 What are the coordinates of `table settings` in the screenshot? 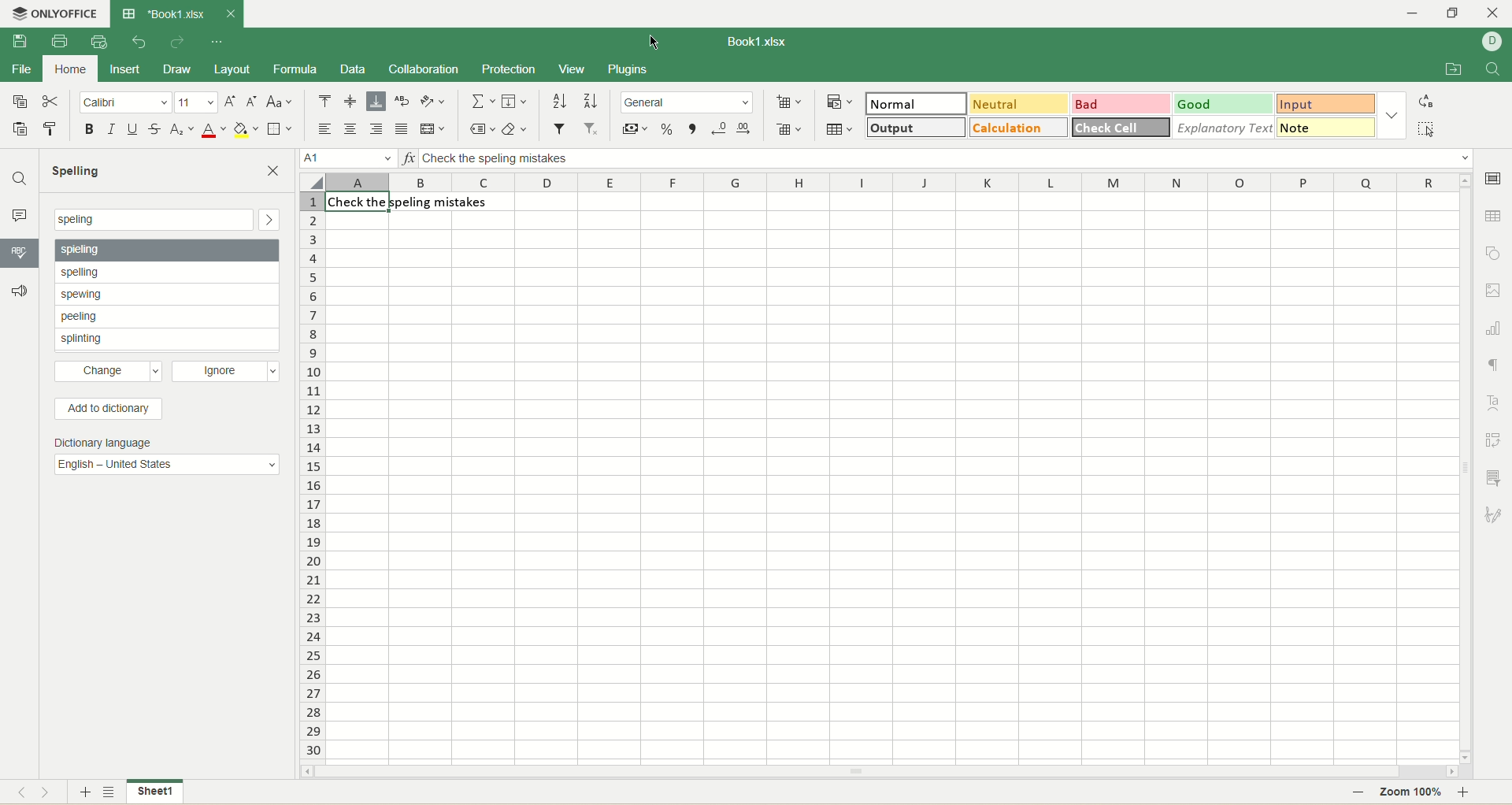 It's located at (1495, 213).